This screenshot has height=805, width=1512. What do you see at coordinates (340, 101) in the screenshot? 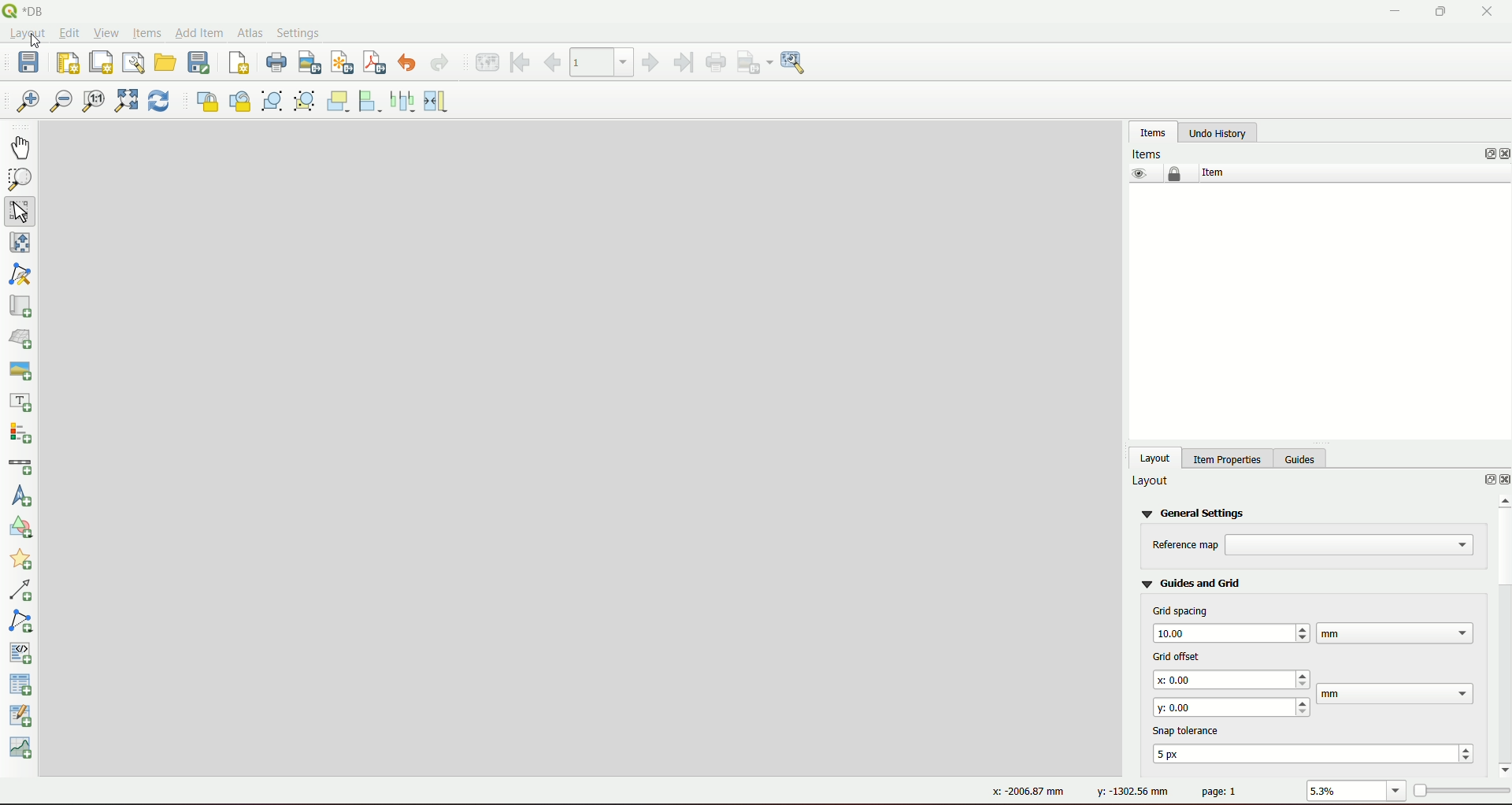
I see `raise selected` at bounding box center [340, 101].